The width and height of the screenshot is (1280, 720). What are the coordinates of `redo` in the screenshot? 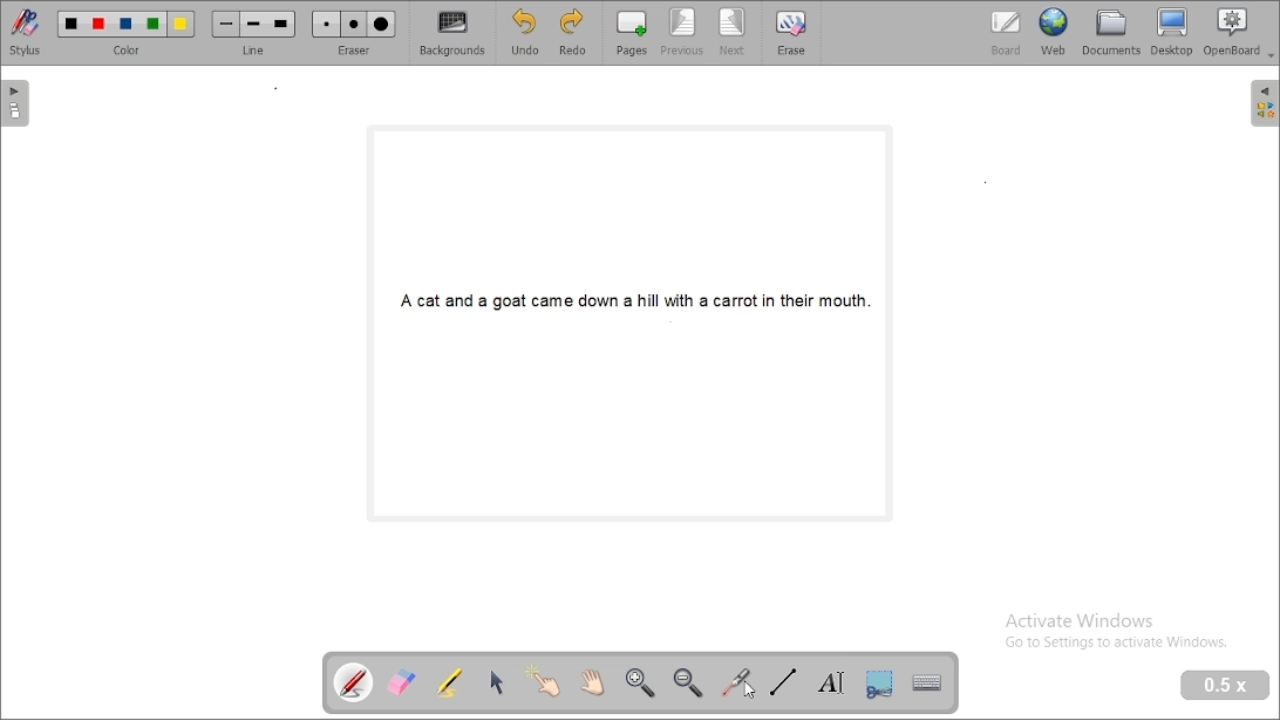 It's located at (573, 34).